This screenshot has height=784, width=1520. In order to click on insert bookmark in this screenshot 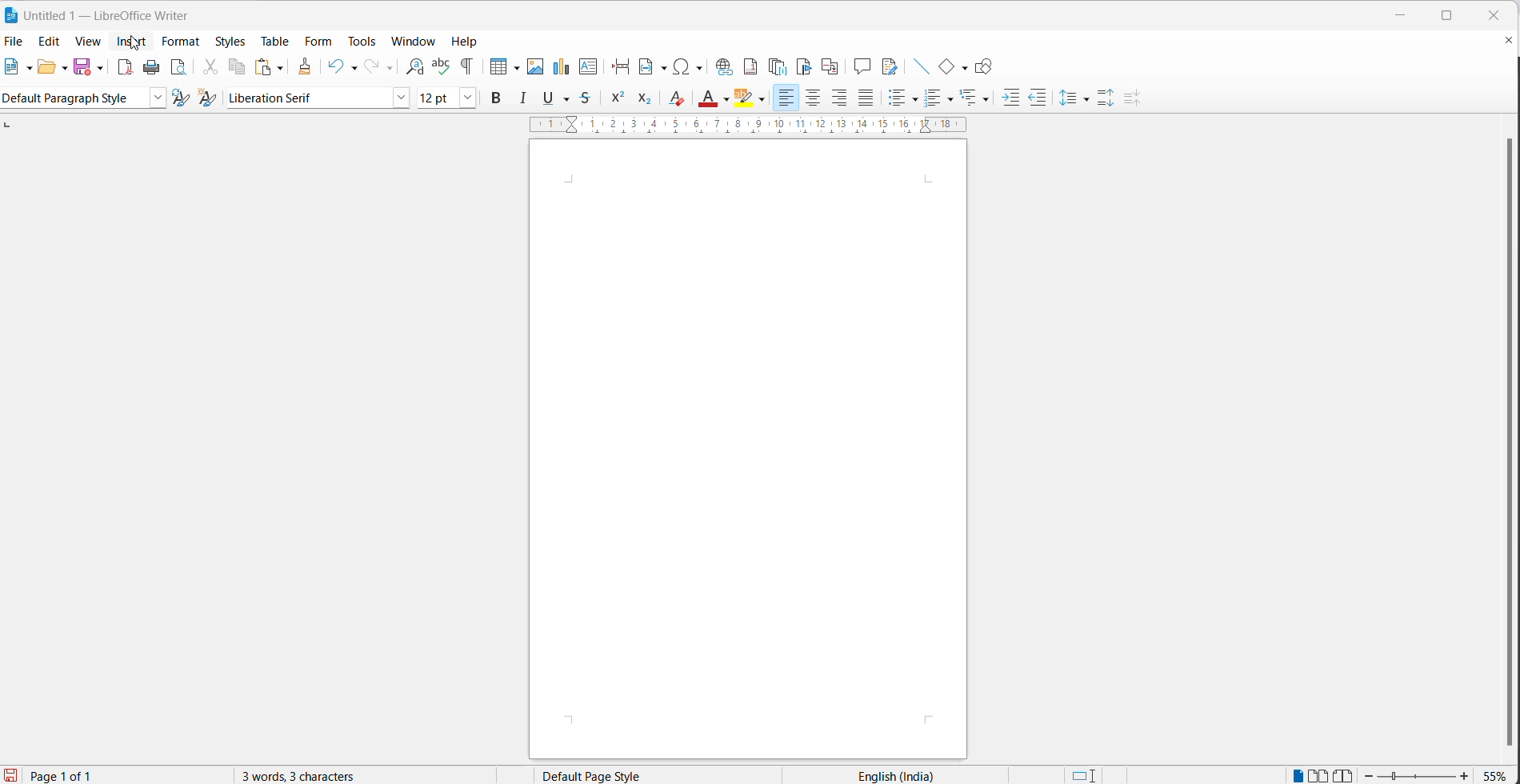, I will do `click(802, 66)`.